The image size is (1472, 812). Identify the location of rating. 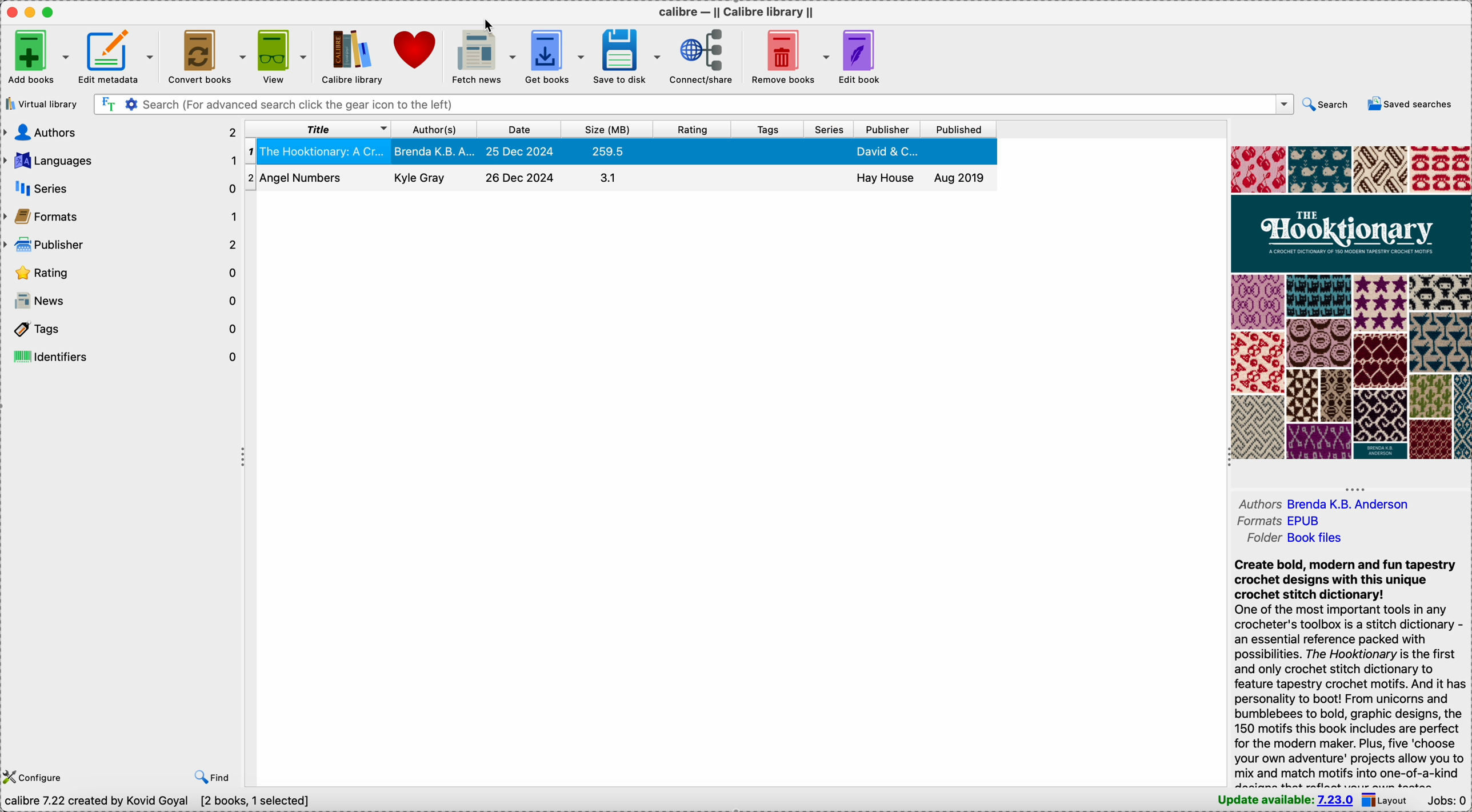
(692, 128).